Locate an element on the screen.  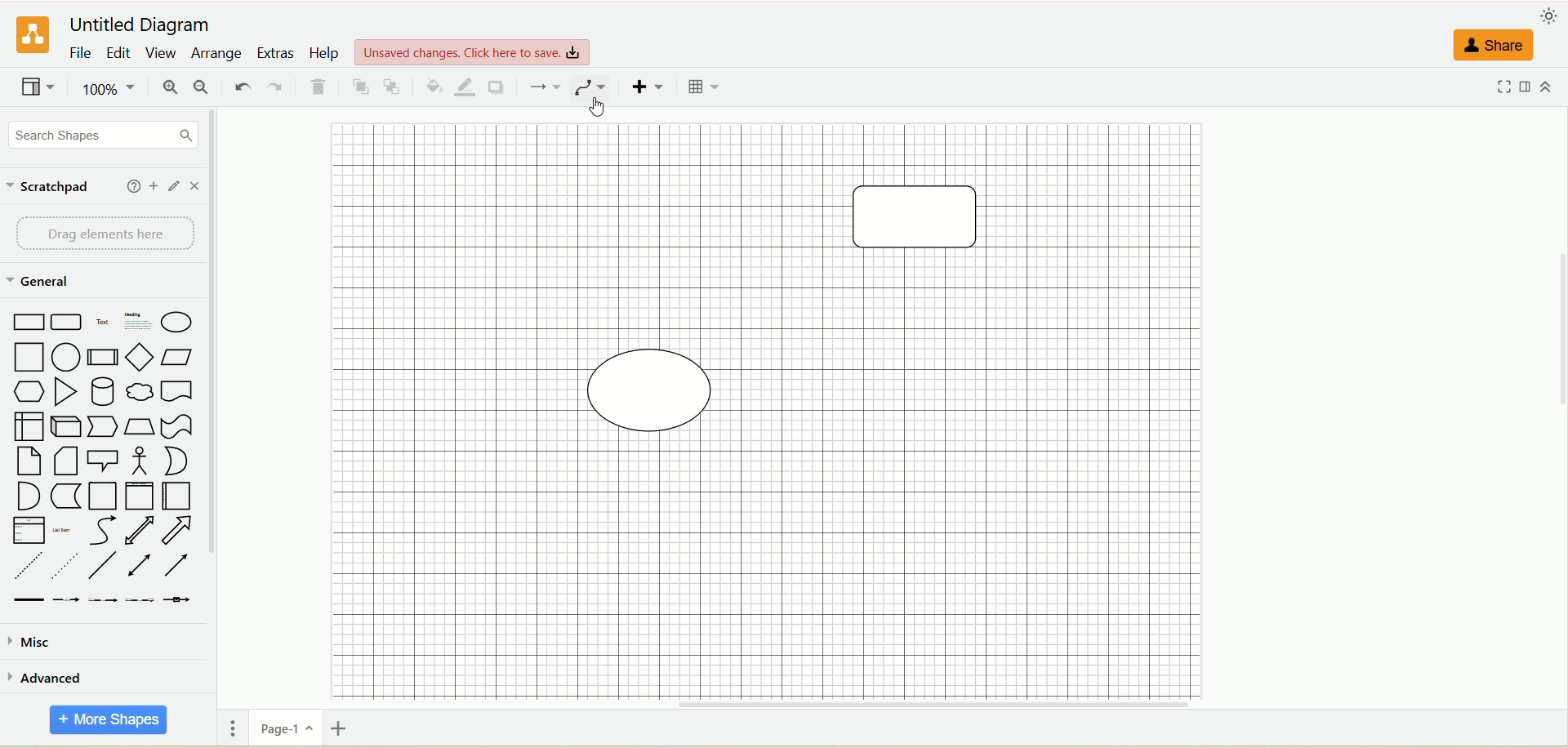
expand/collapse is located at coordinates (1546, 89).